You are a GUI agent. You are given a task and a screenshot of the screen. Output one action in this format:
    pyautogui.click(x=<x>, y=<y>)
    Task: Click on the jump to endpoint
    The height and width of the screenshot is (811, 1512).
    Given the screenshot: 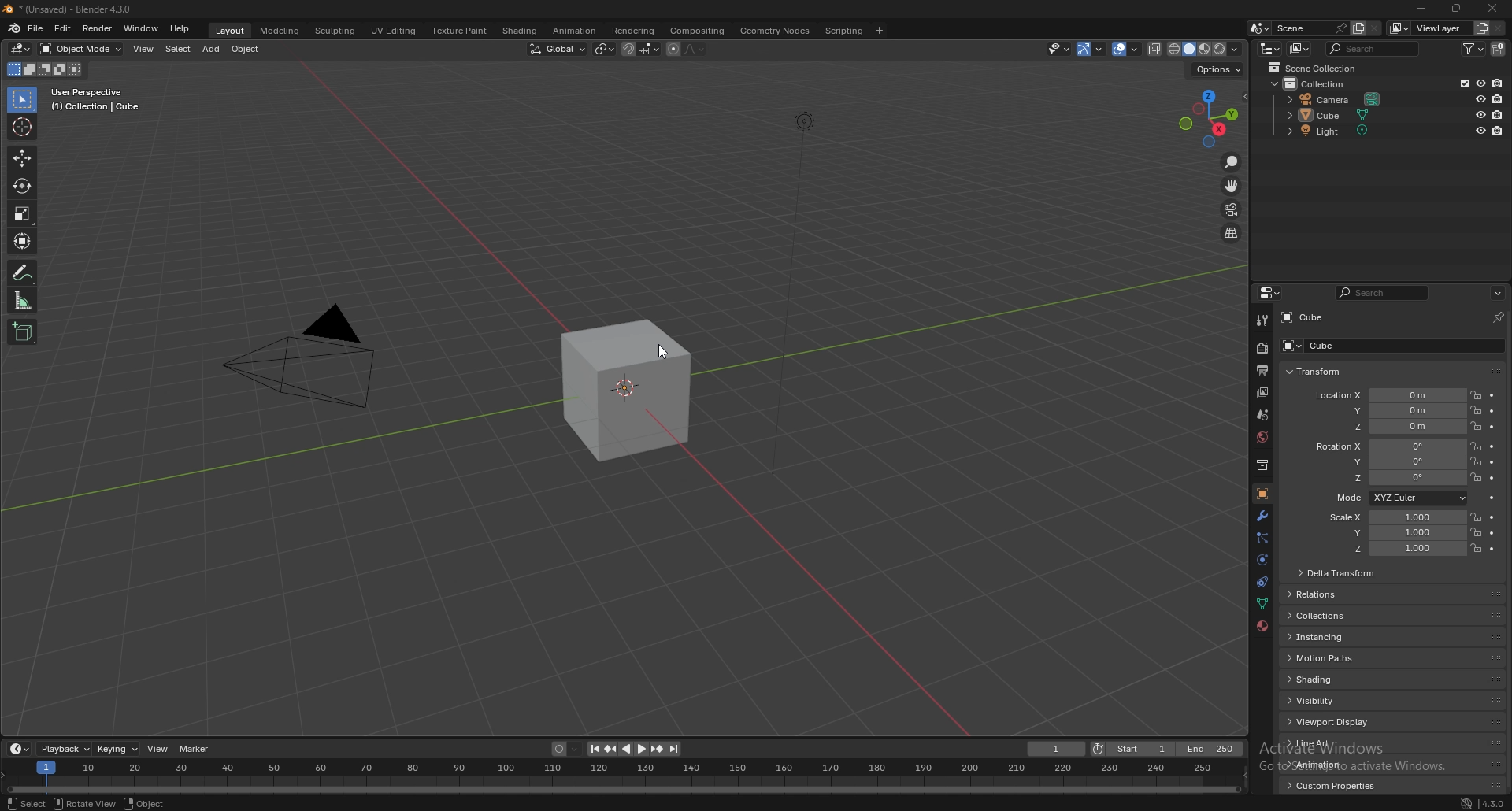 What is the action you would take?
    pyautogui.click(x=675, y=750)
    